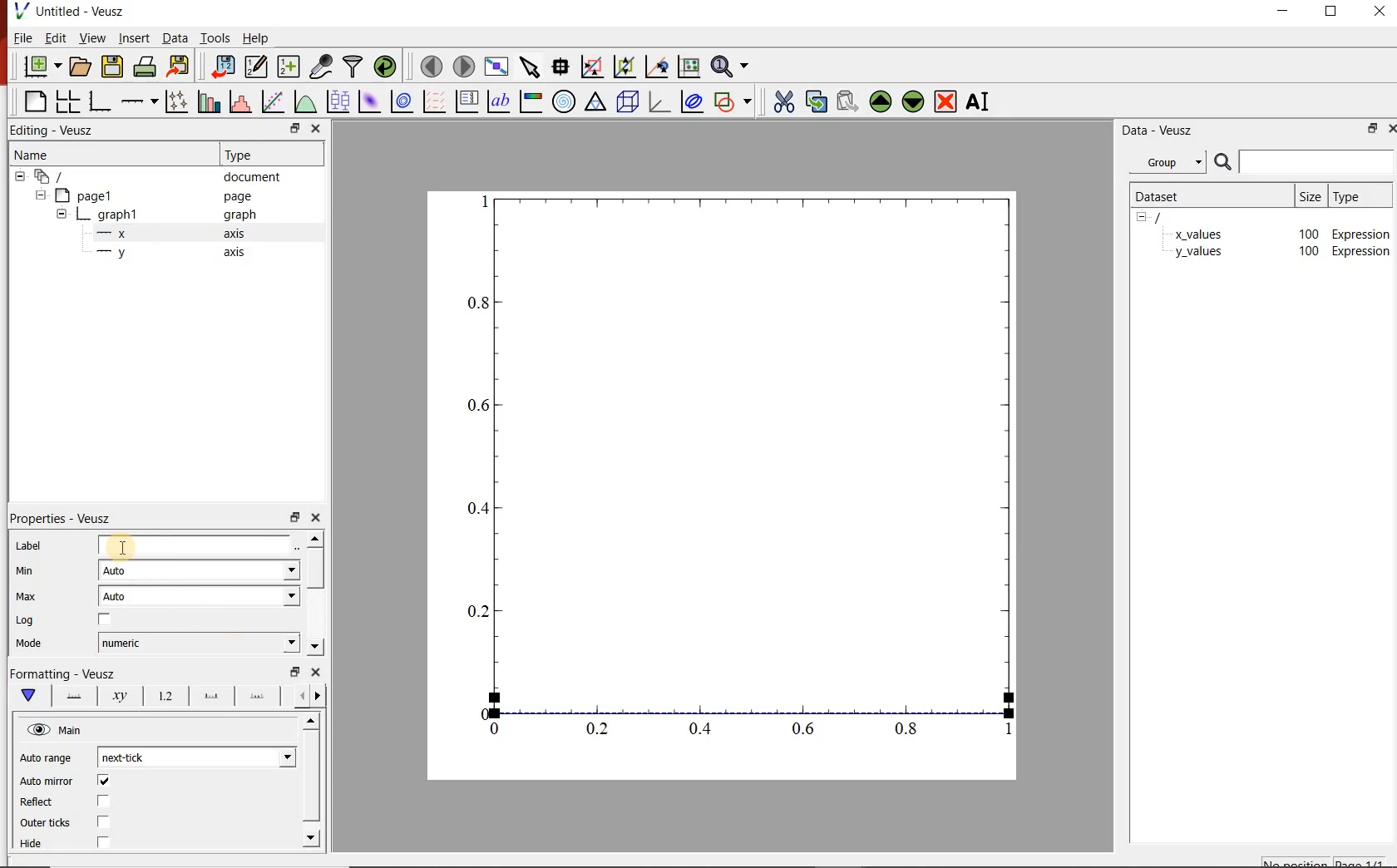  Describe the element at coordinates (42, 65) in the screenshot. I see `new document` at that location.